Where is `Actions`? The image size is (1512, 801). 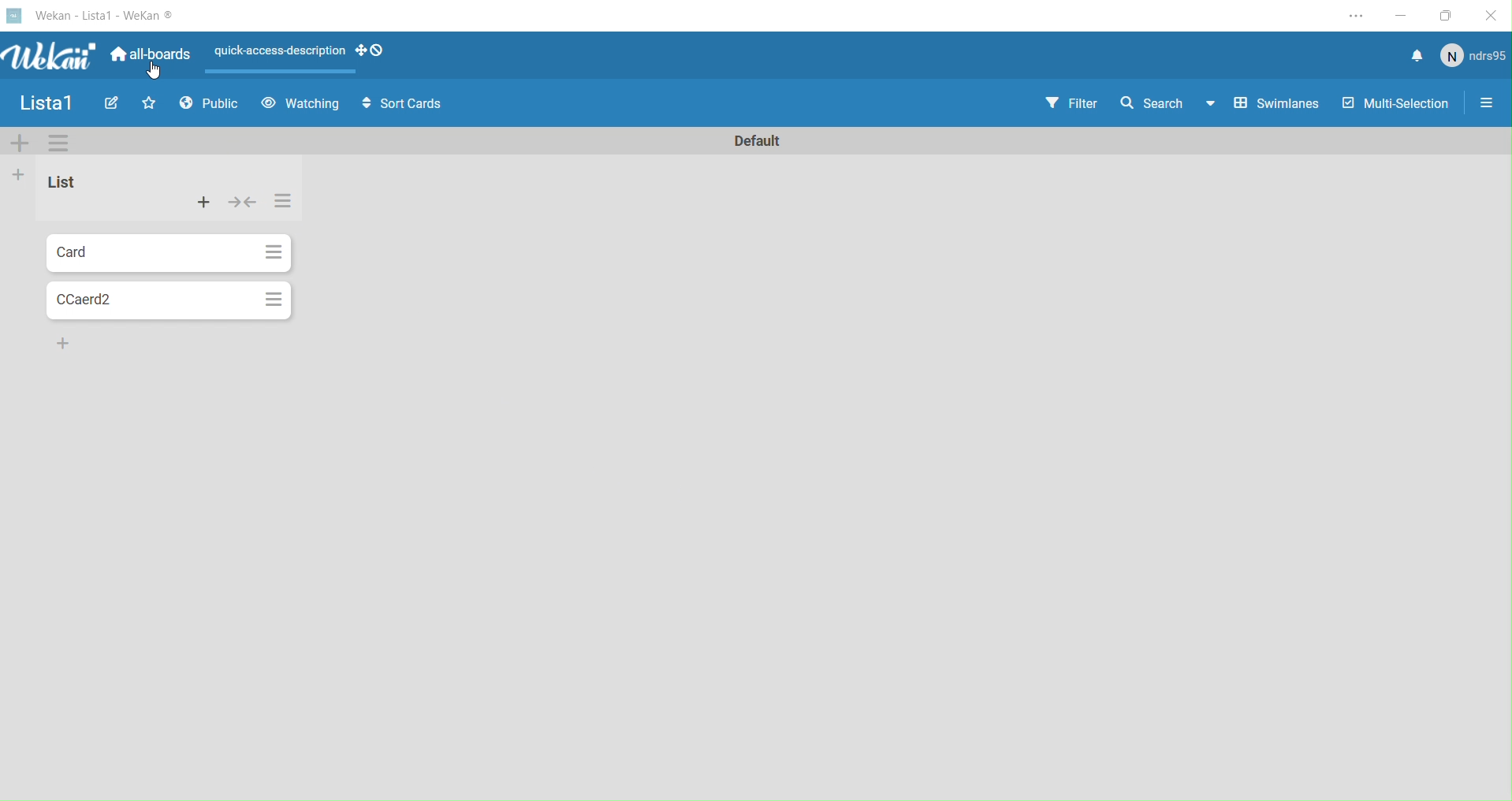
Actions is located at coordinates (207, 203).